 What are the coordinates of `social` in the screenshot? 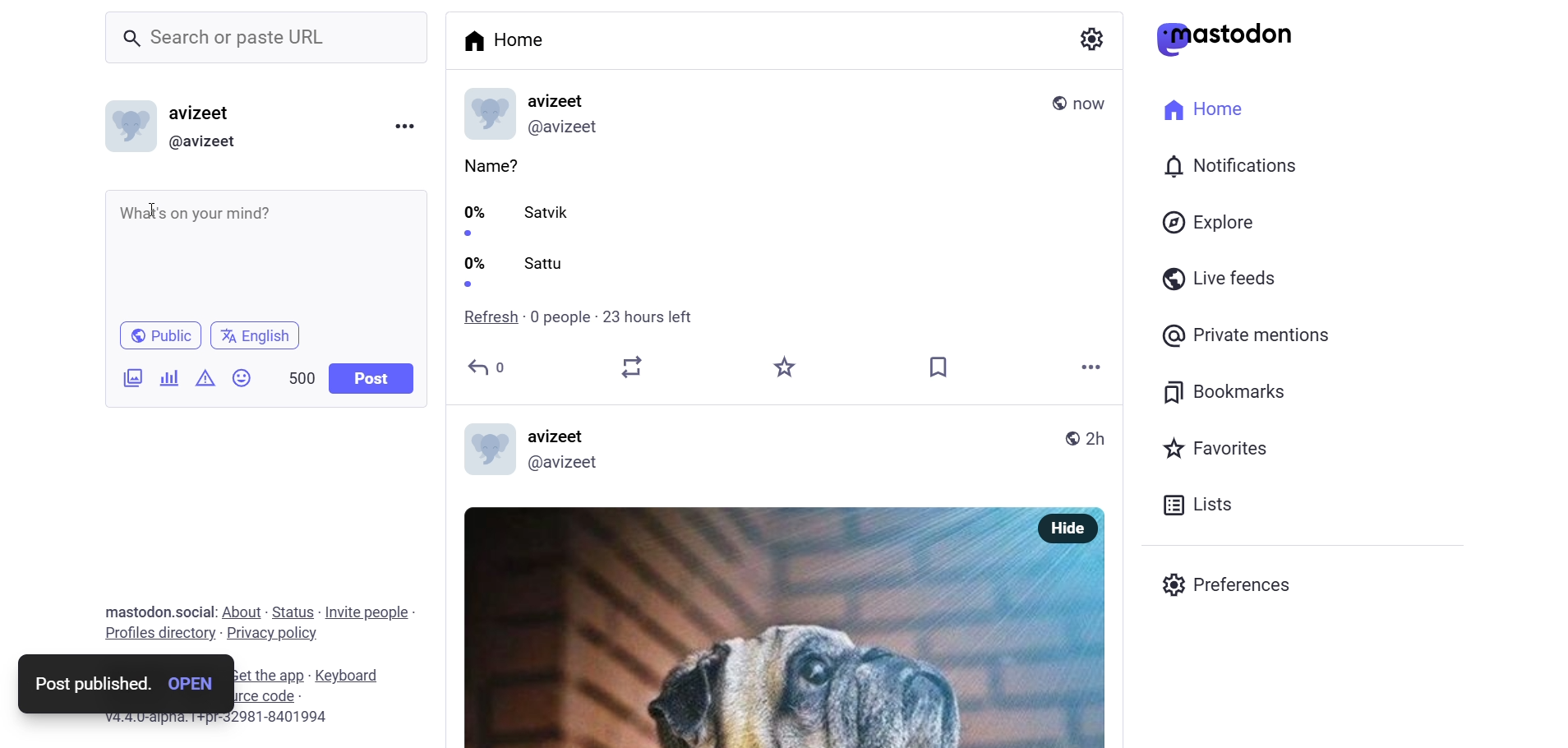 It's located at (192, 612).